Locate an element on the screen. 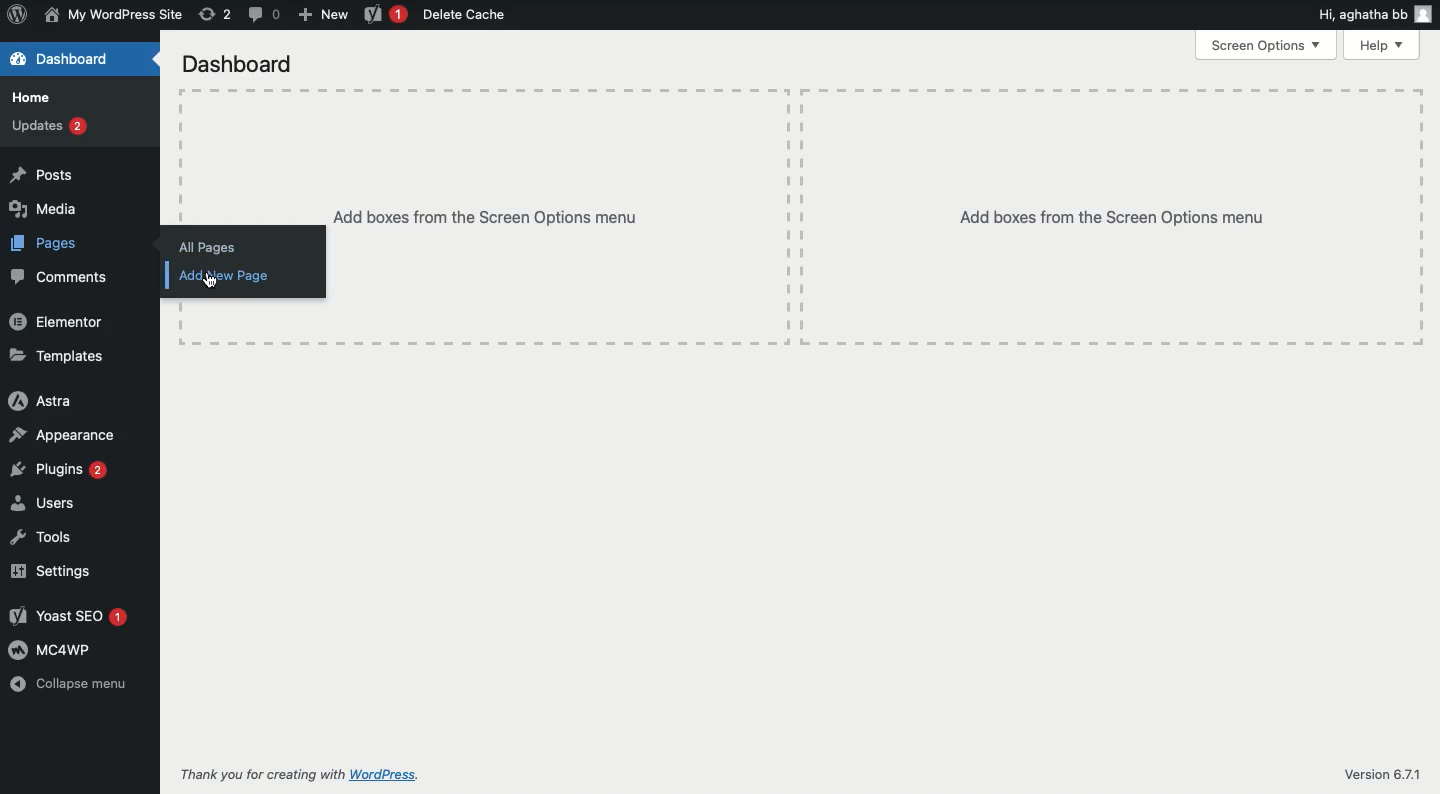 Image resolution: width=1440 pixels, height=794 pixels. Settings is located at coordinates (56, 571).